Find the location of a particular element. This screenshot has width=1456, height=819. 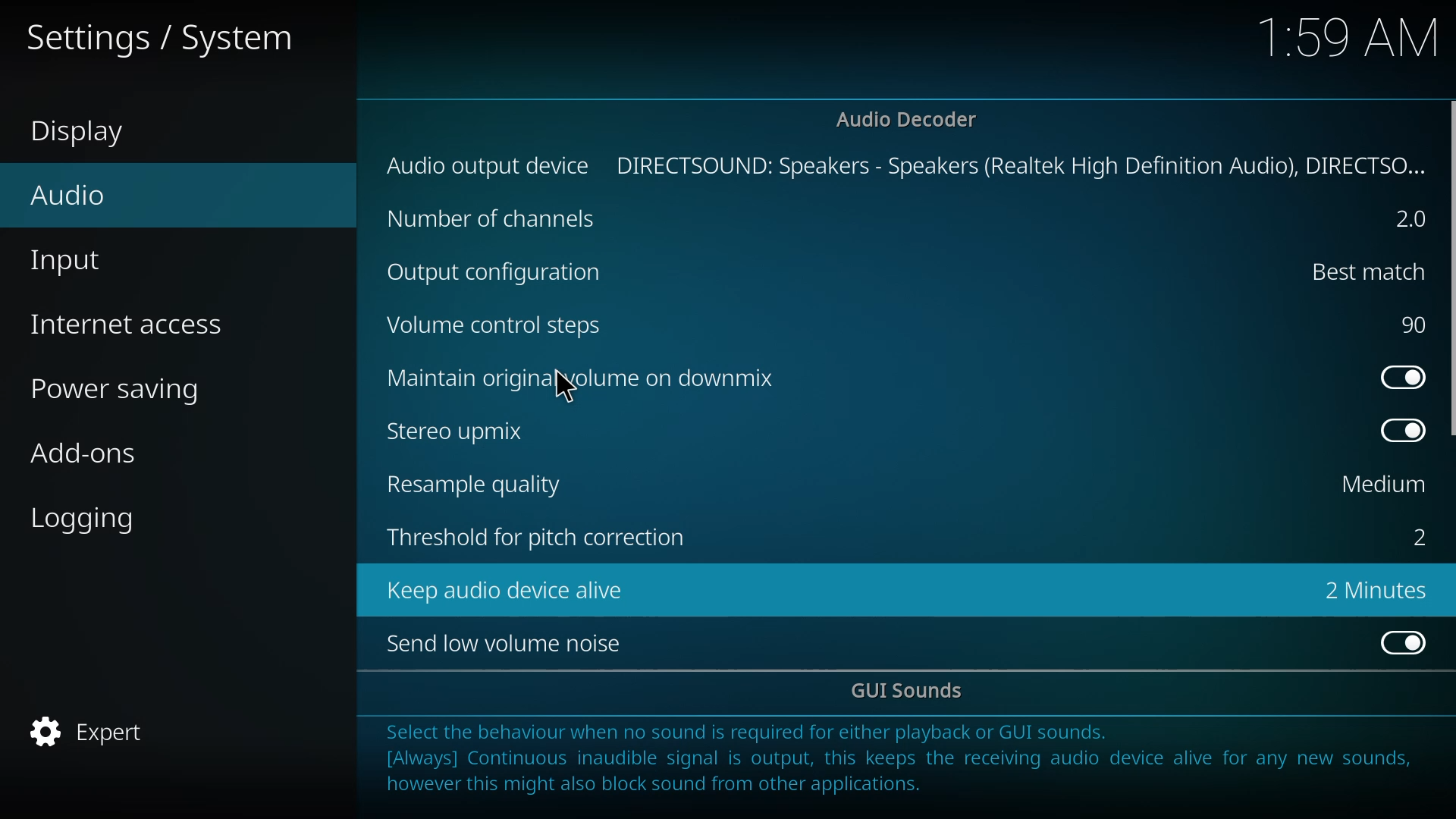

2 minutes selected is located at coordinates (1375, 591).